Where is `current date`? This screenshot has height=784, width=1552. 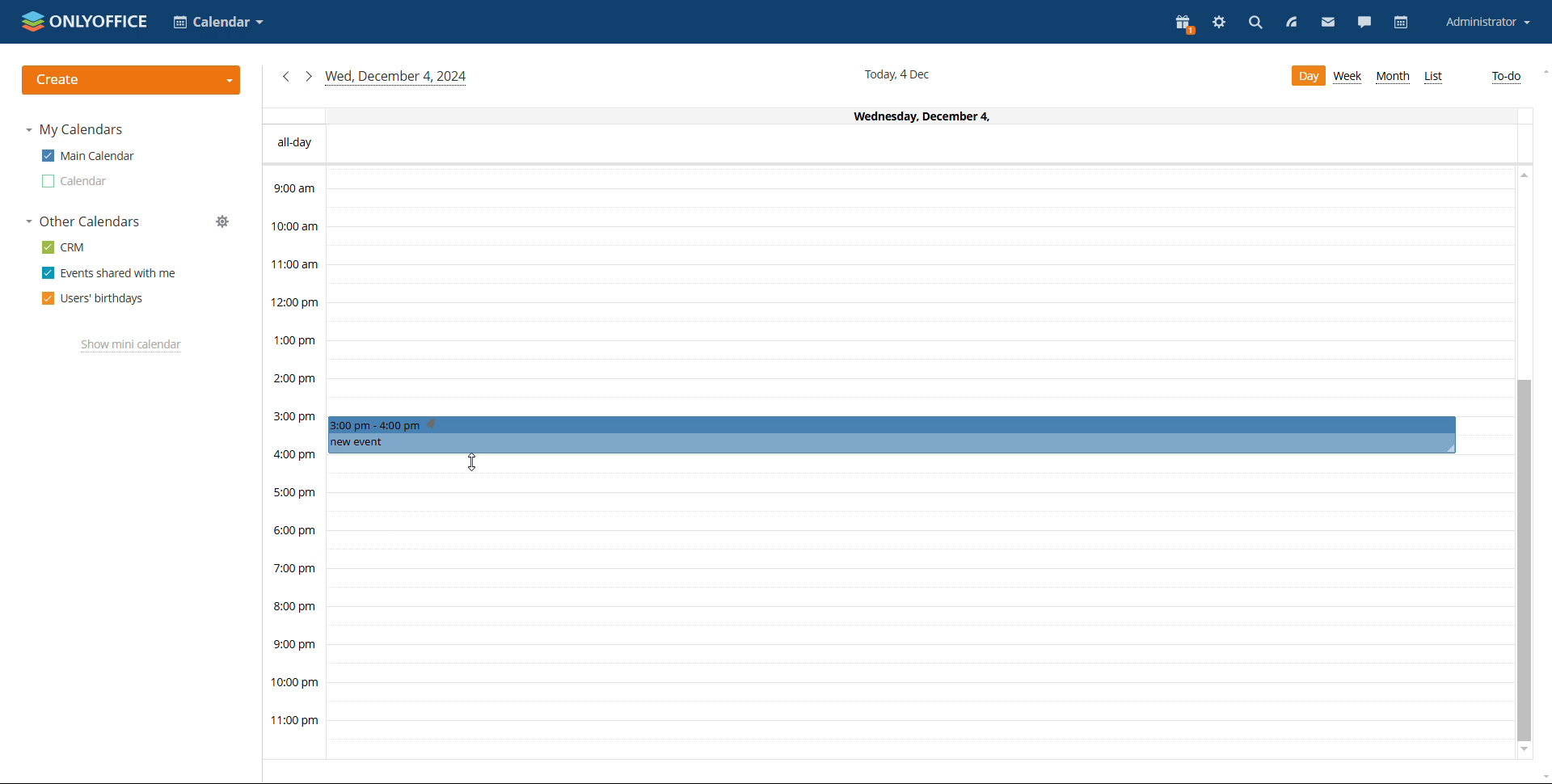
current date is located at coordinates (900, 74).